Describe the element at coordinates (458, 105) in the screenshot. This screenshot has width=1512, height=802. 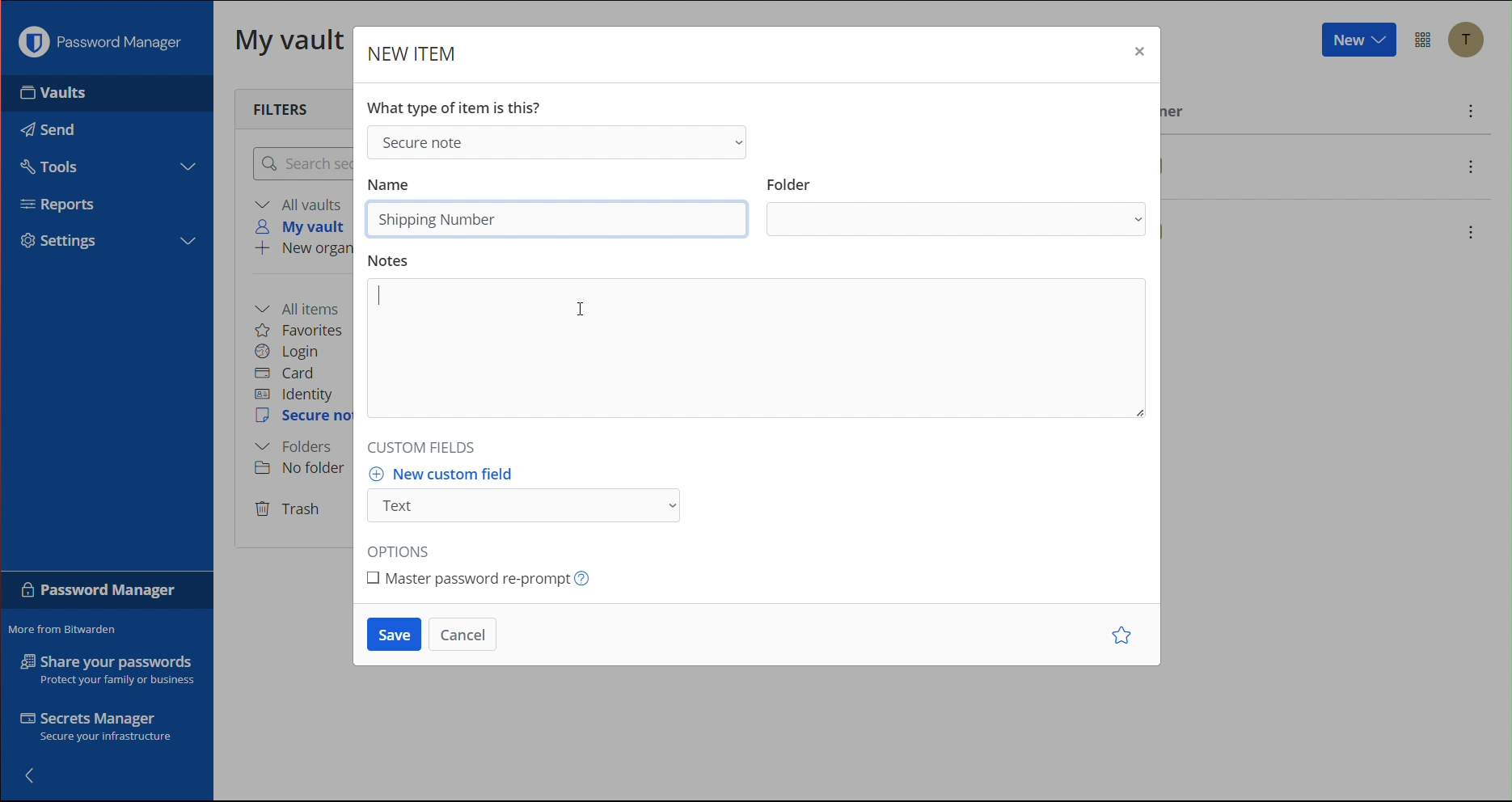
I see `What type of item is this?` at that location.